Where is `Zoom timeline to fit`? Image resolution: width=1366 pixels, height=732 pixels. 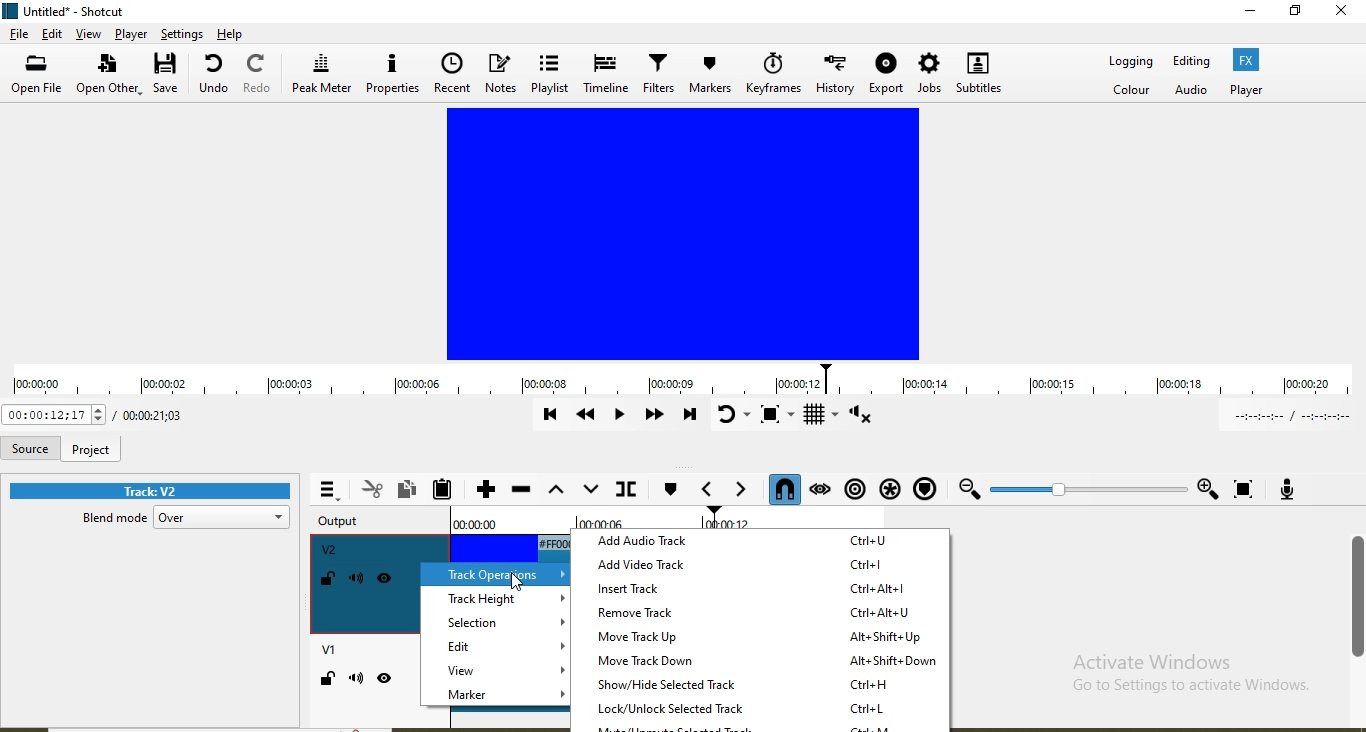
Zoom timeline to fit is located at coordinates (1244, 488).